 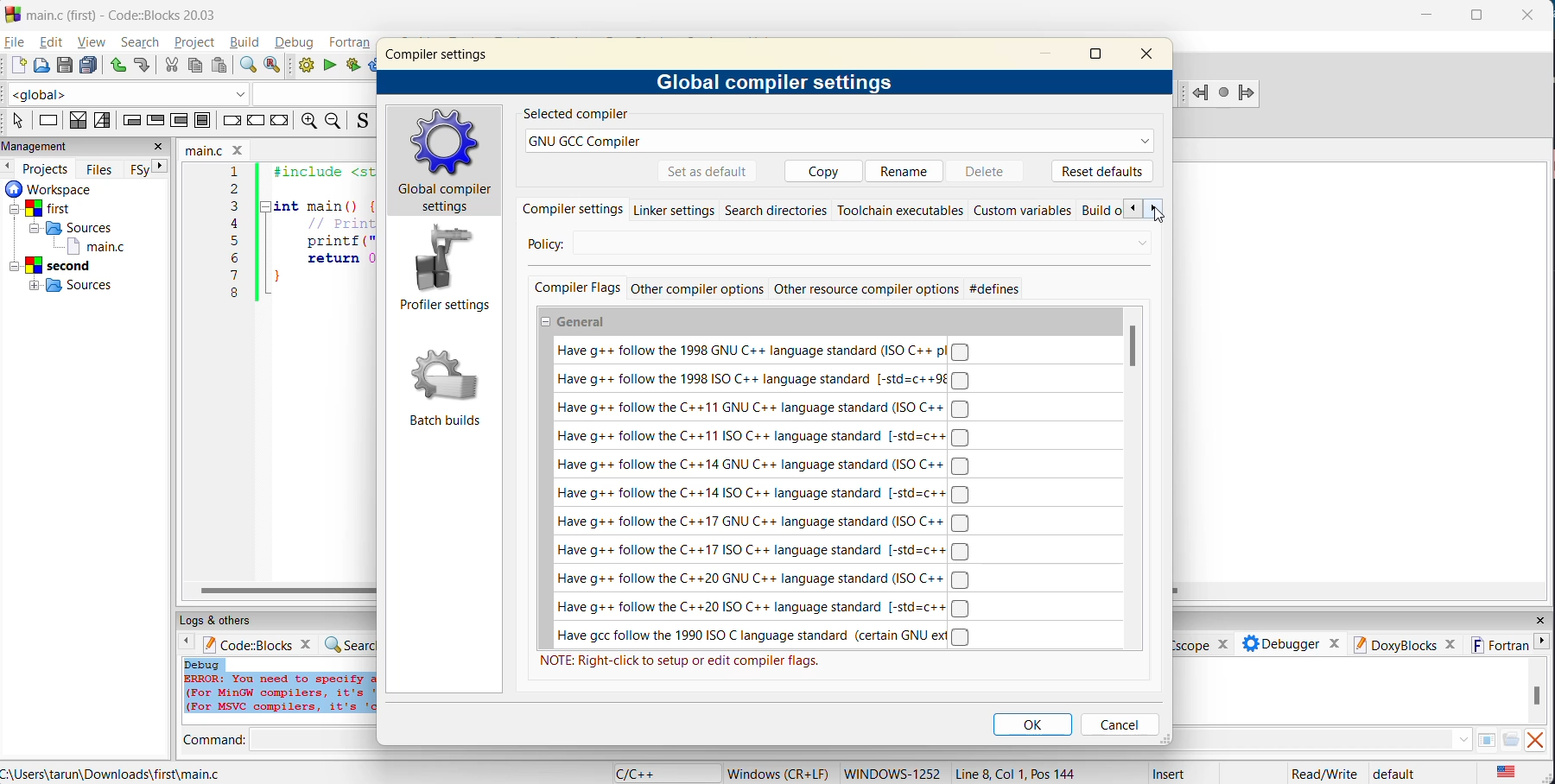 What do you see at coordinates (246, 44) in the screenshot?
I see `build` at bounding box center [246, 44].